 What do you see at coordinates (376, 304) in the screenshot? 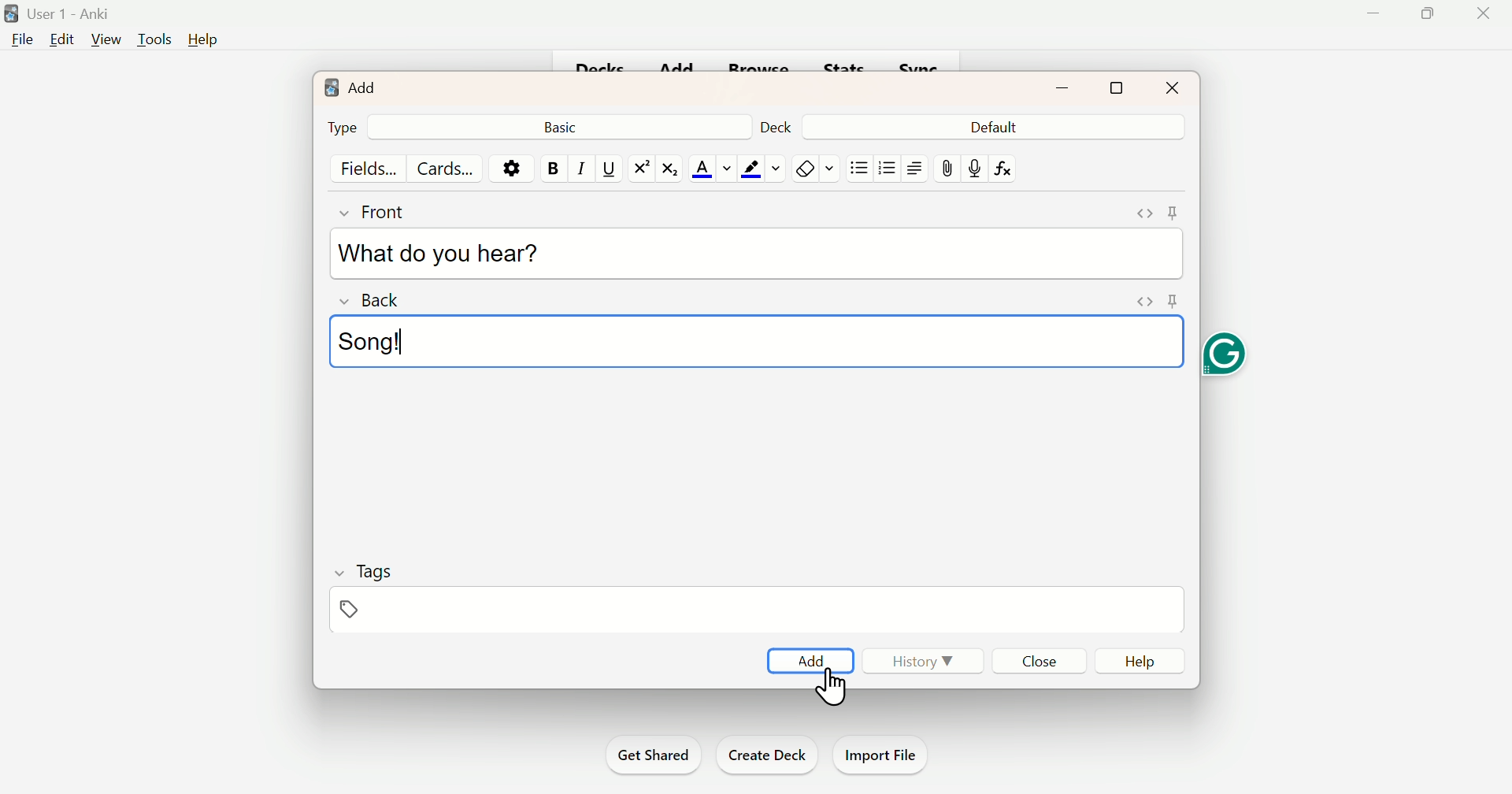
I see `Back` at bounding box center [376, 304].